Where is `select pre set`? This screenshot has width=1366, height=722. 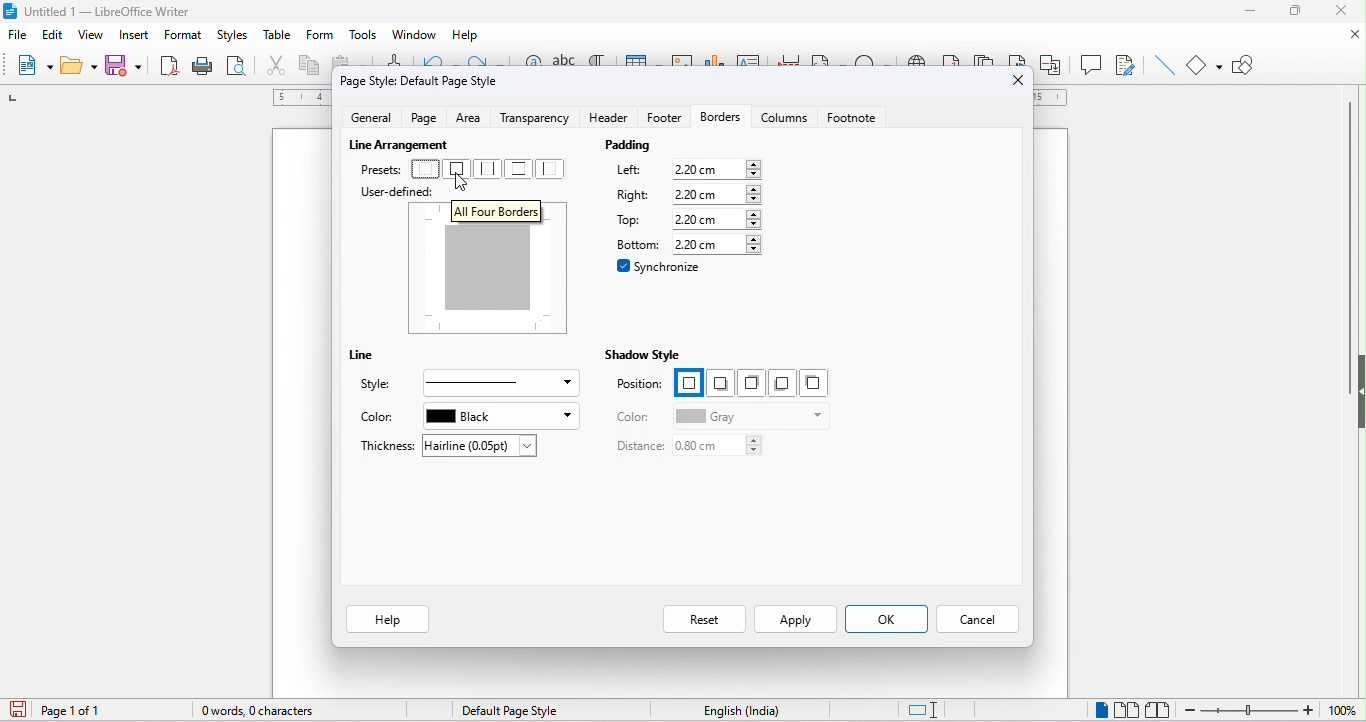
select pre set is located at coordinates (490, 168).